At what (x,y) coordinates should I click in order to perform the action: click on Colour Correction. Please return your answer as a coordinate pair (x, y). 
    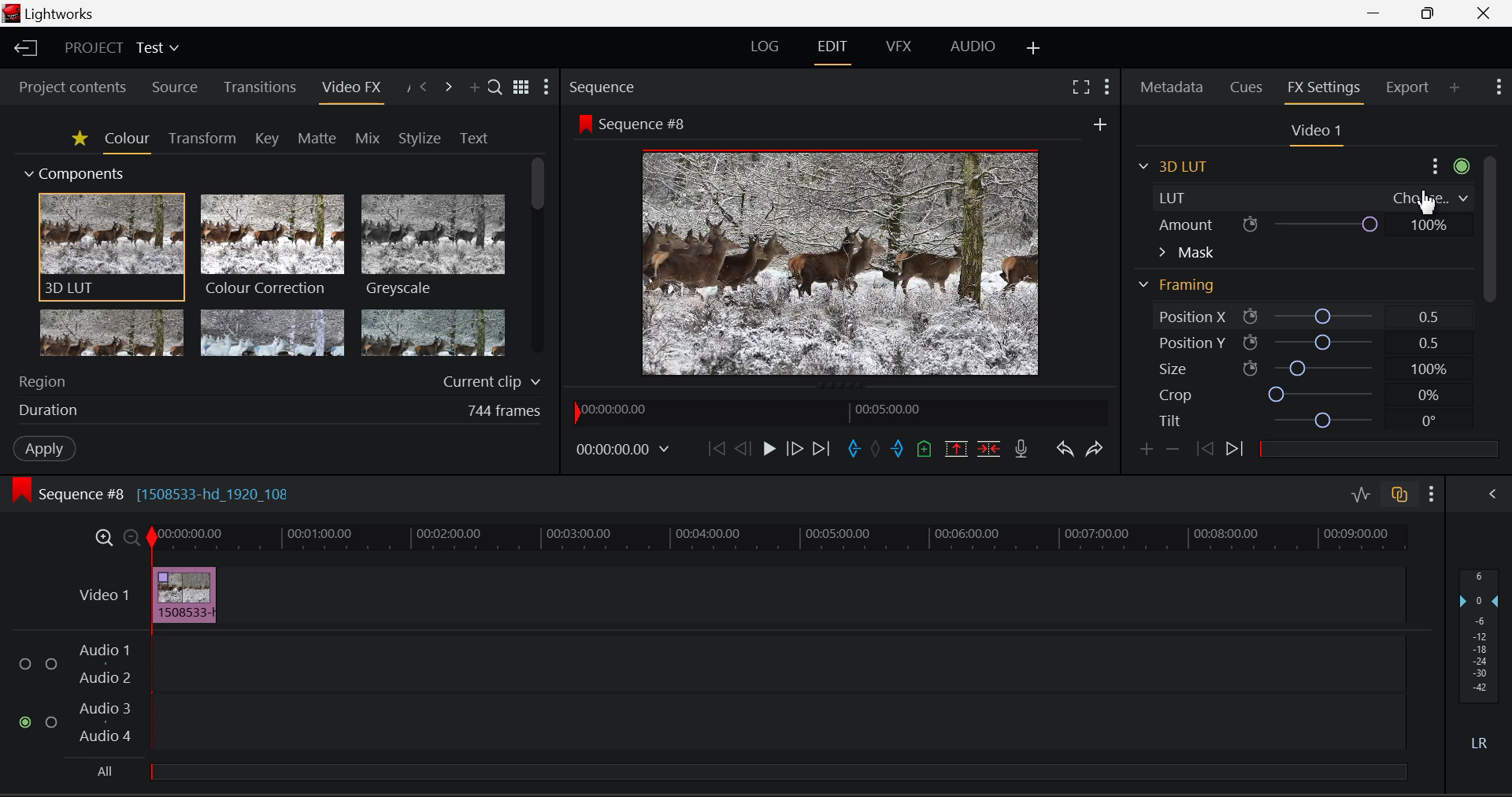
    Looking at the image, I should click on (273, 246).